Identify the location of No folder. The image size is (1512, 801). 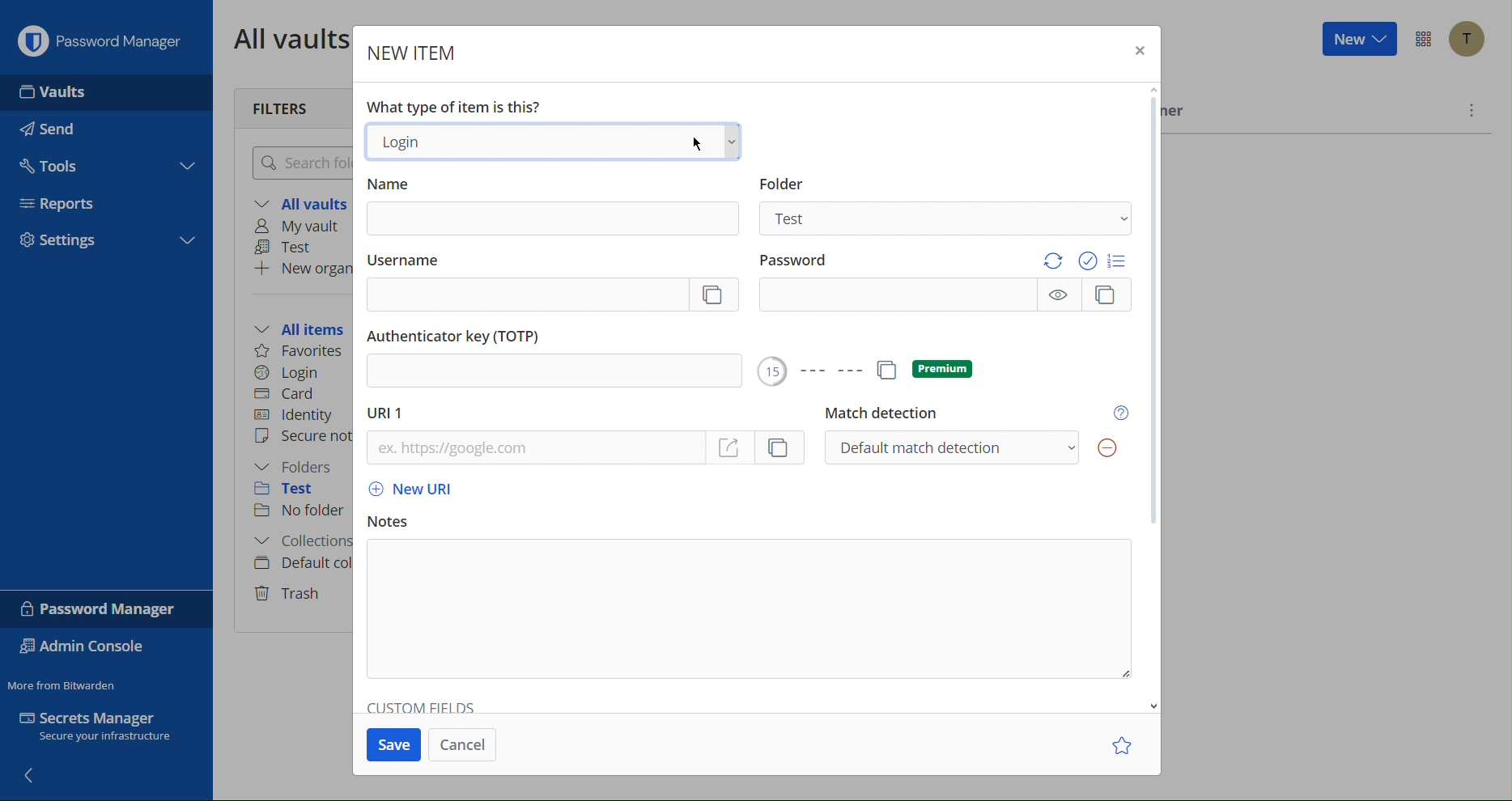
(307, 511).